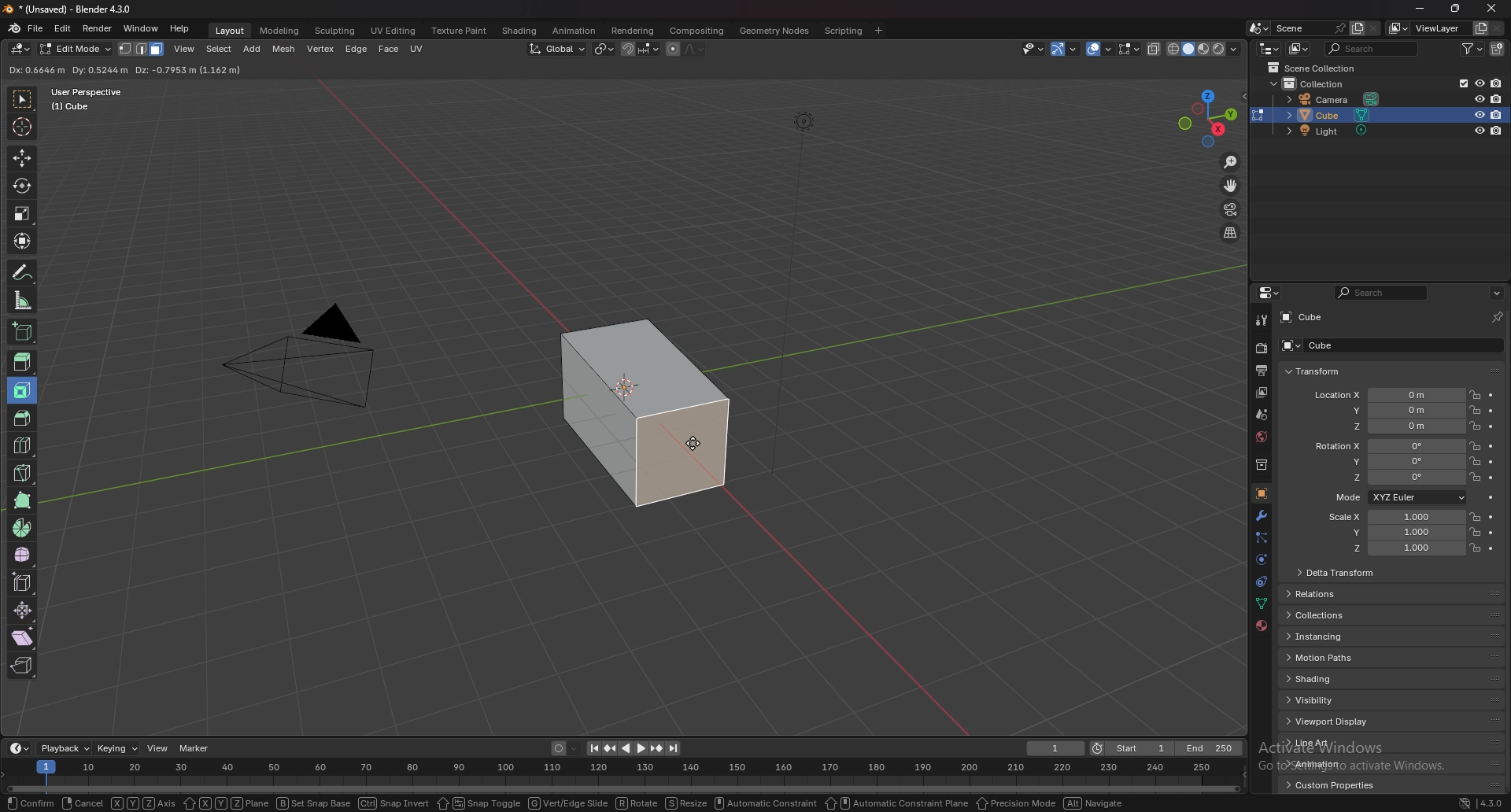 The height and width of the screenshot is (812, 1511). What do you see at coordinates (1492, 478) in the screenshot?
I see `animate property` at bounding box center [1492, 478].